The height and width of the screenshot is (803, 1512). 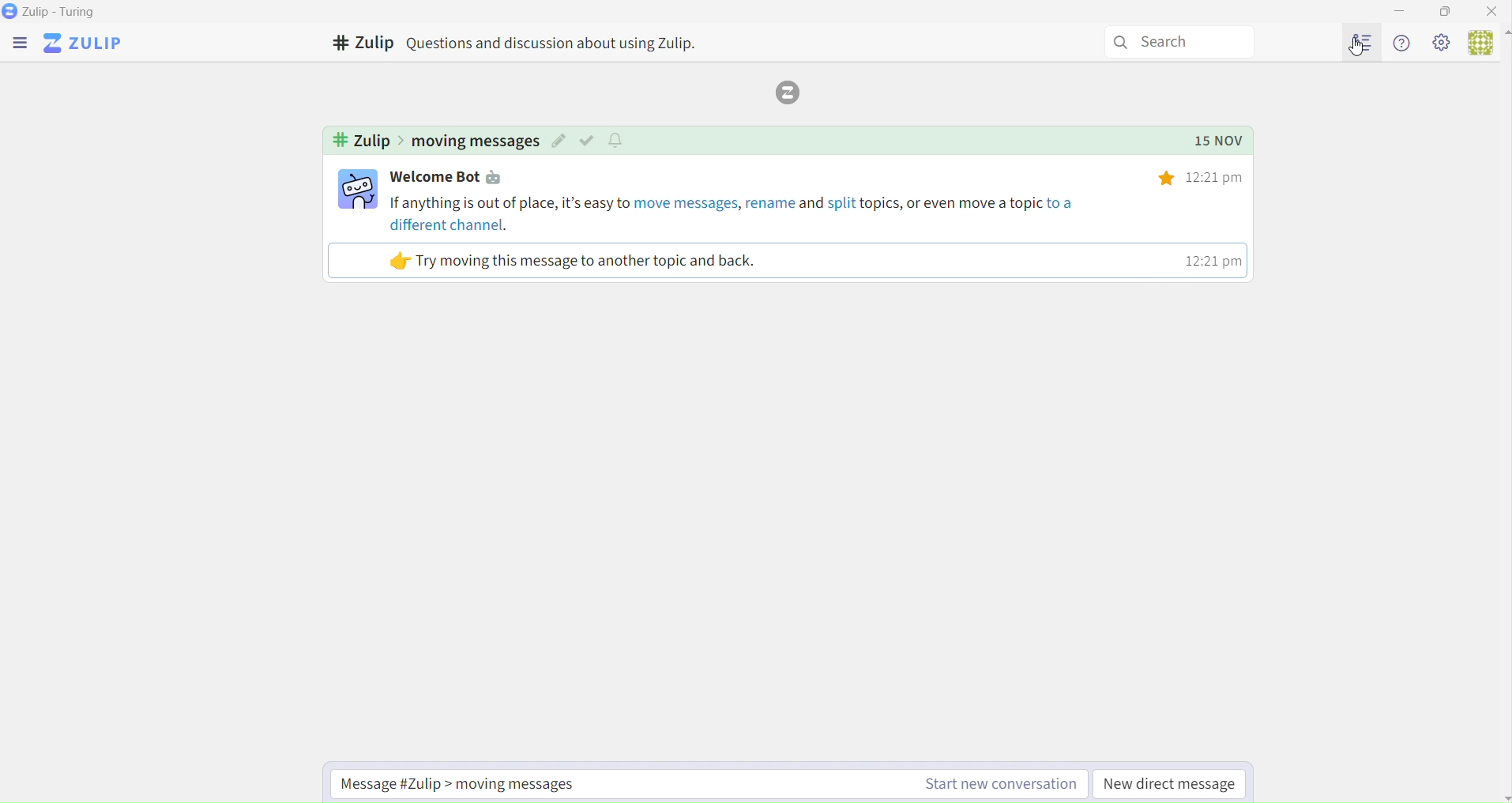 What do you see at coordinates (359, 189) in the screenshot?
I see `user profile` at bounding box center [359, 189].